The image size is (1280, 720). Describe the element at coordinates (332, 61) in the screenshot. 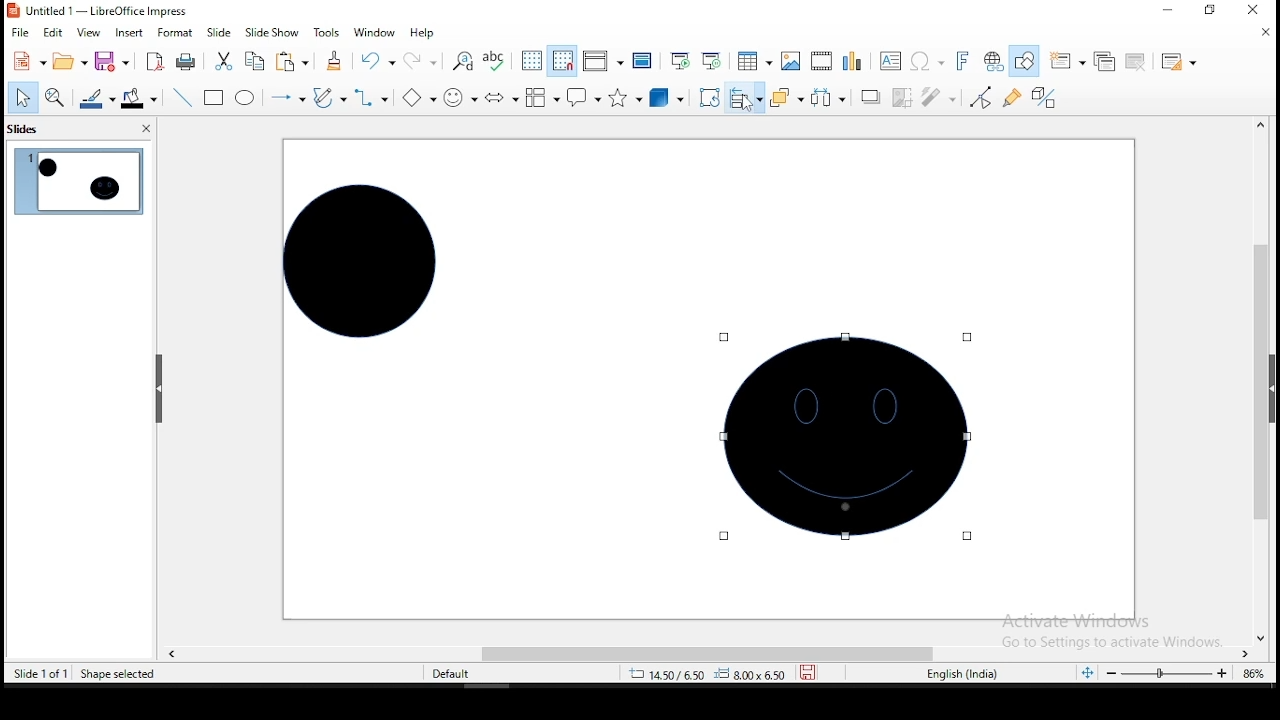

I see `clone formatting` at that location.